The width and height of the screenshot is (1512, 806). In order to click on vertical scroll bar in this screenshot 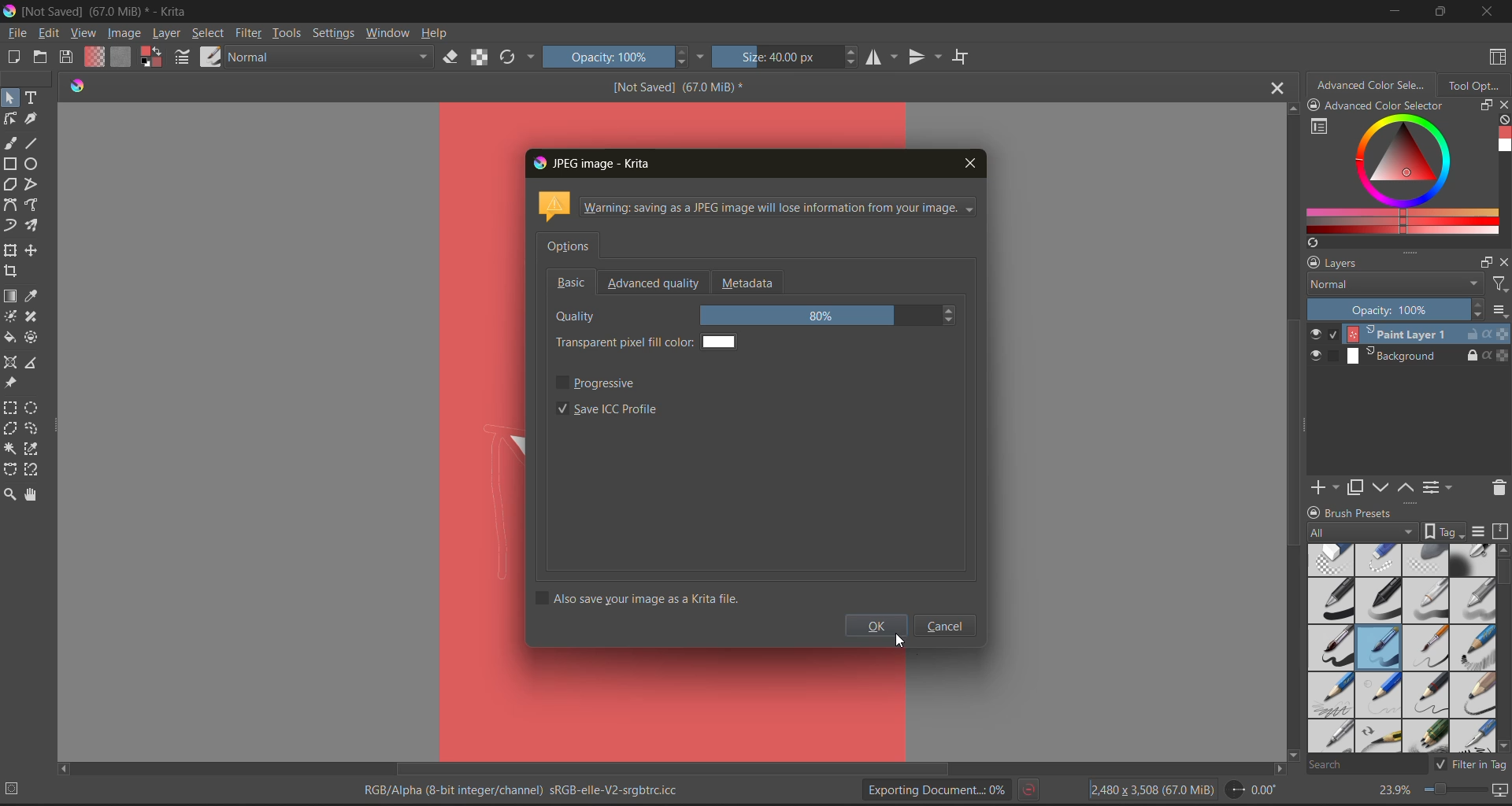, I will do `click(1289, 433)`.